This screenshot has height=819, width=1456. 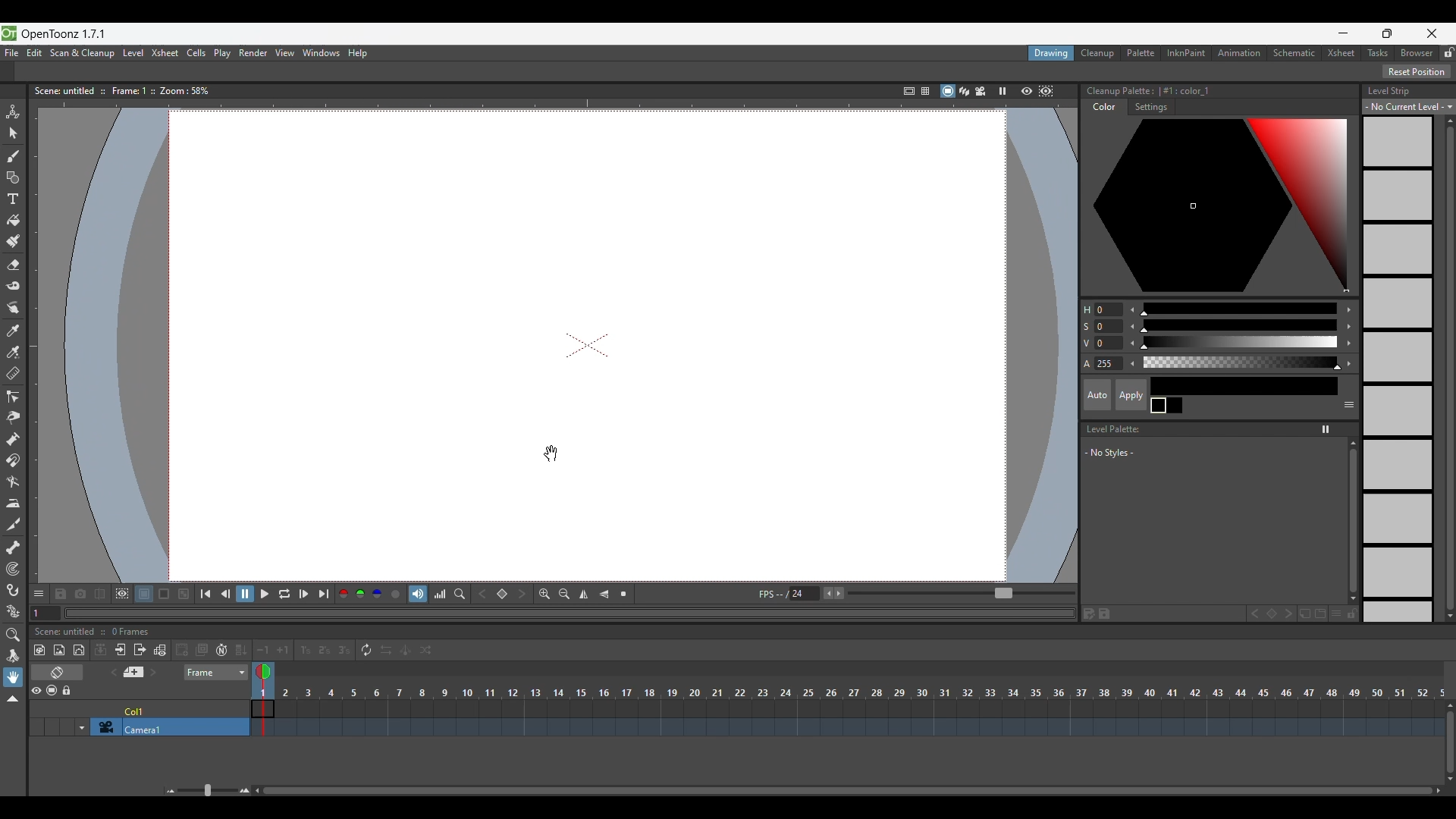 What do you see at coordinates (13, 504) in the screenshot?
I see `Iron tool` at bounding box center [13, 504].